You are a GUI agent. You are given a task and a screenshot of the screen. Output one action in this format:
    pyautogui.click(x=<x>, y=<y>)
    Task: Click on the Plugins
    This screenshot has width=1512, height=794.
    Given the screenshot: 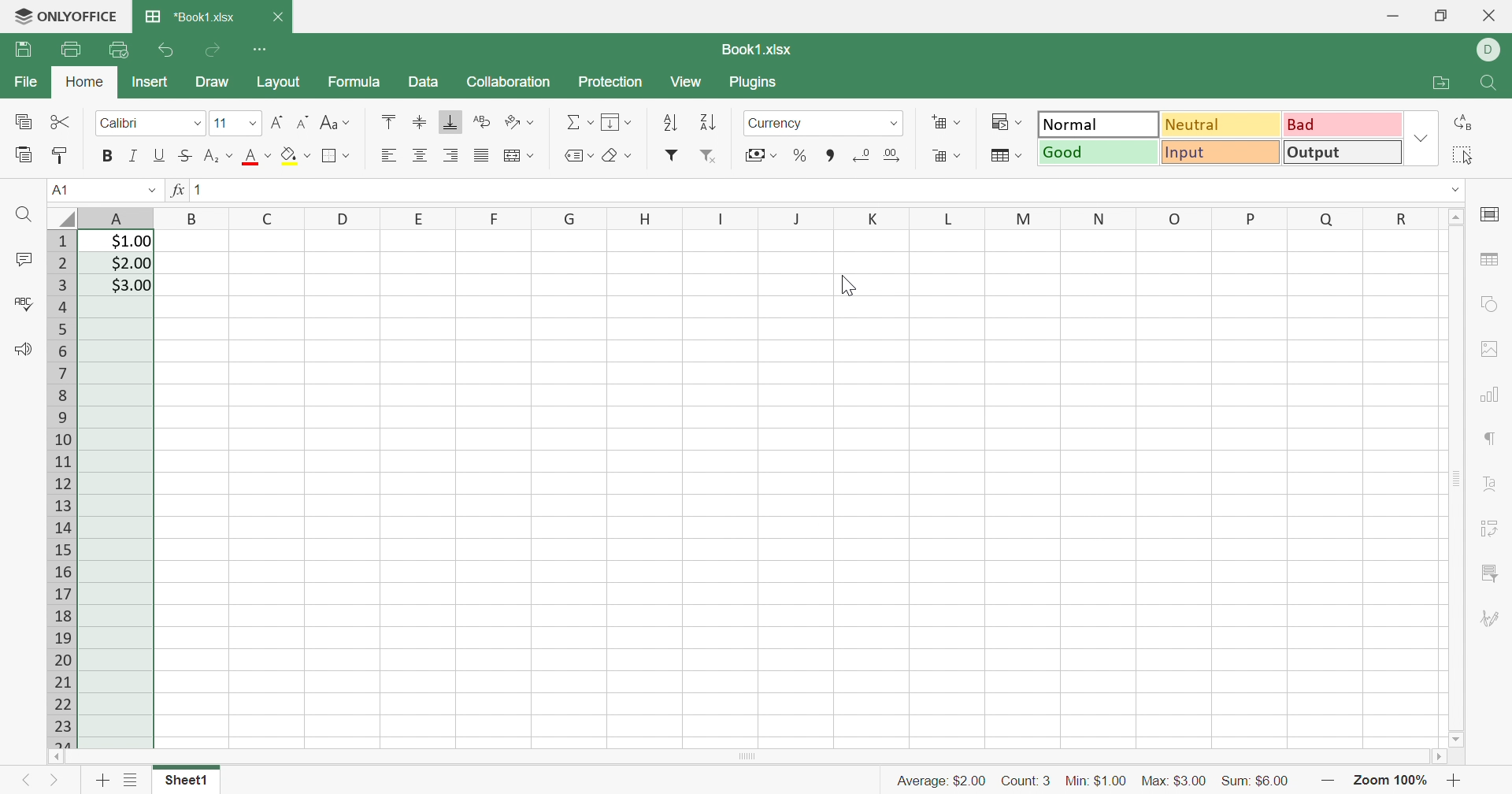 What is the action you would take?
    pyautogui.click(x=752, y=82)
    